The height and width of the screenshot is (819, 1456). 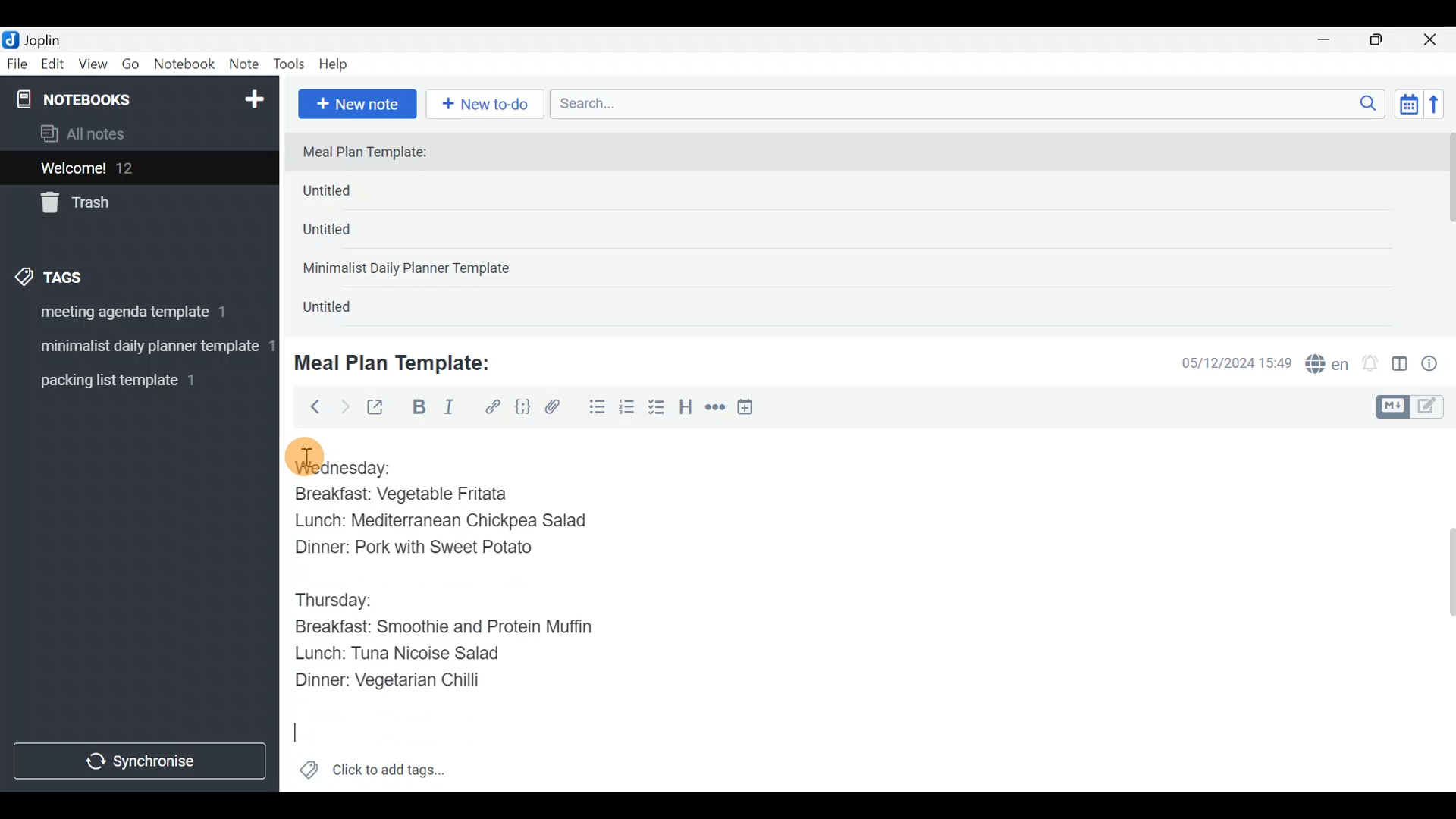 What do you see at coordinates (185, 64) in the screenshot?
I see `Notebook` at bounding box center [185, 64].